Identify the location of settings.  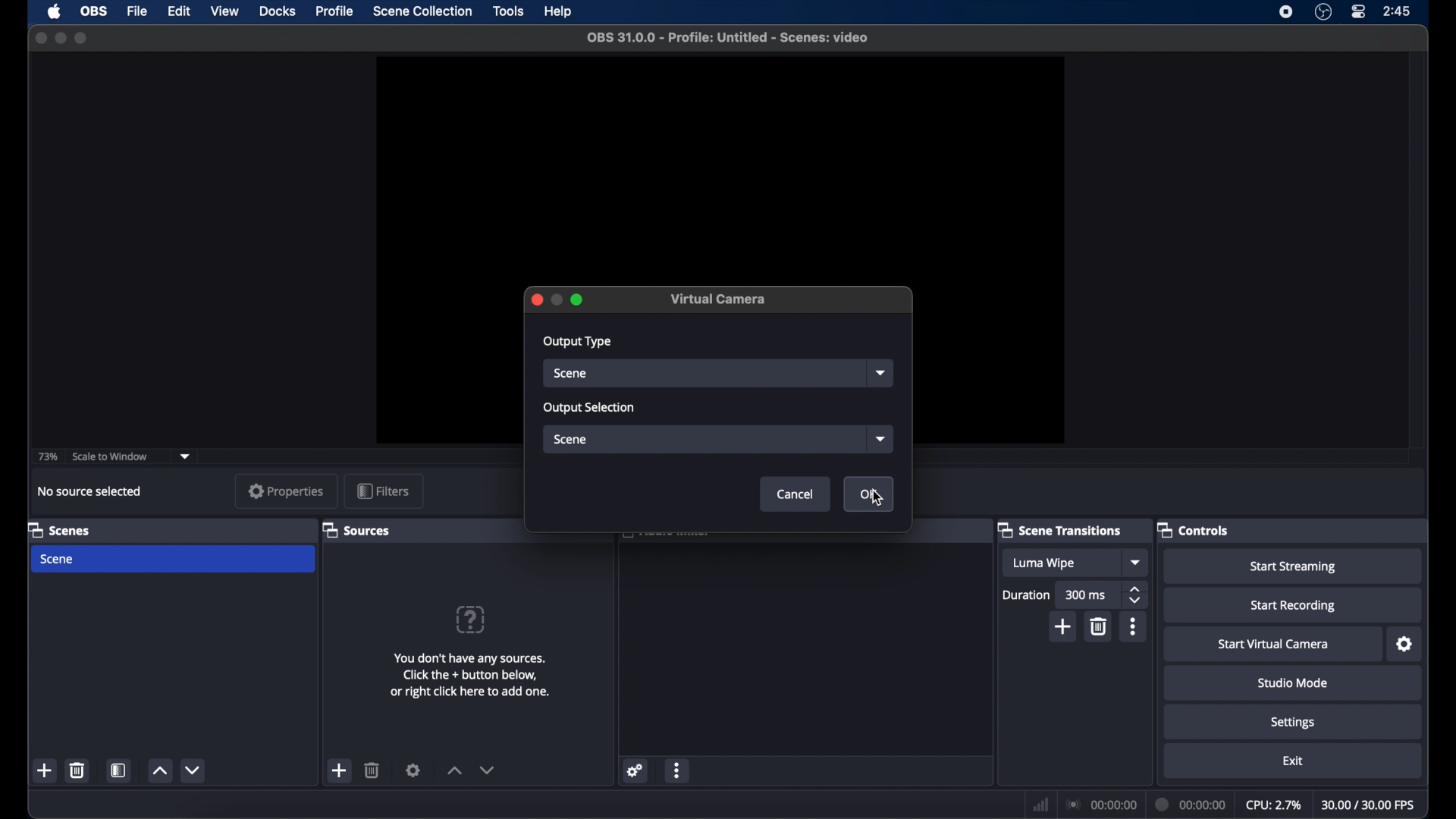
(1403, 645).